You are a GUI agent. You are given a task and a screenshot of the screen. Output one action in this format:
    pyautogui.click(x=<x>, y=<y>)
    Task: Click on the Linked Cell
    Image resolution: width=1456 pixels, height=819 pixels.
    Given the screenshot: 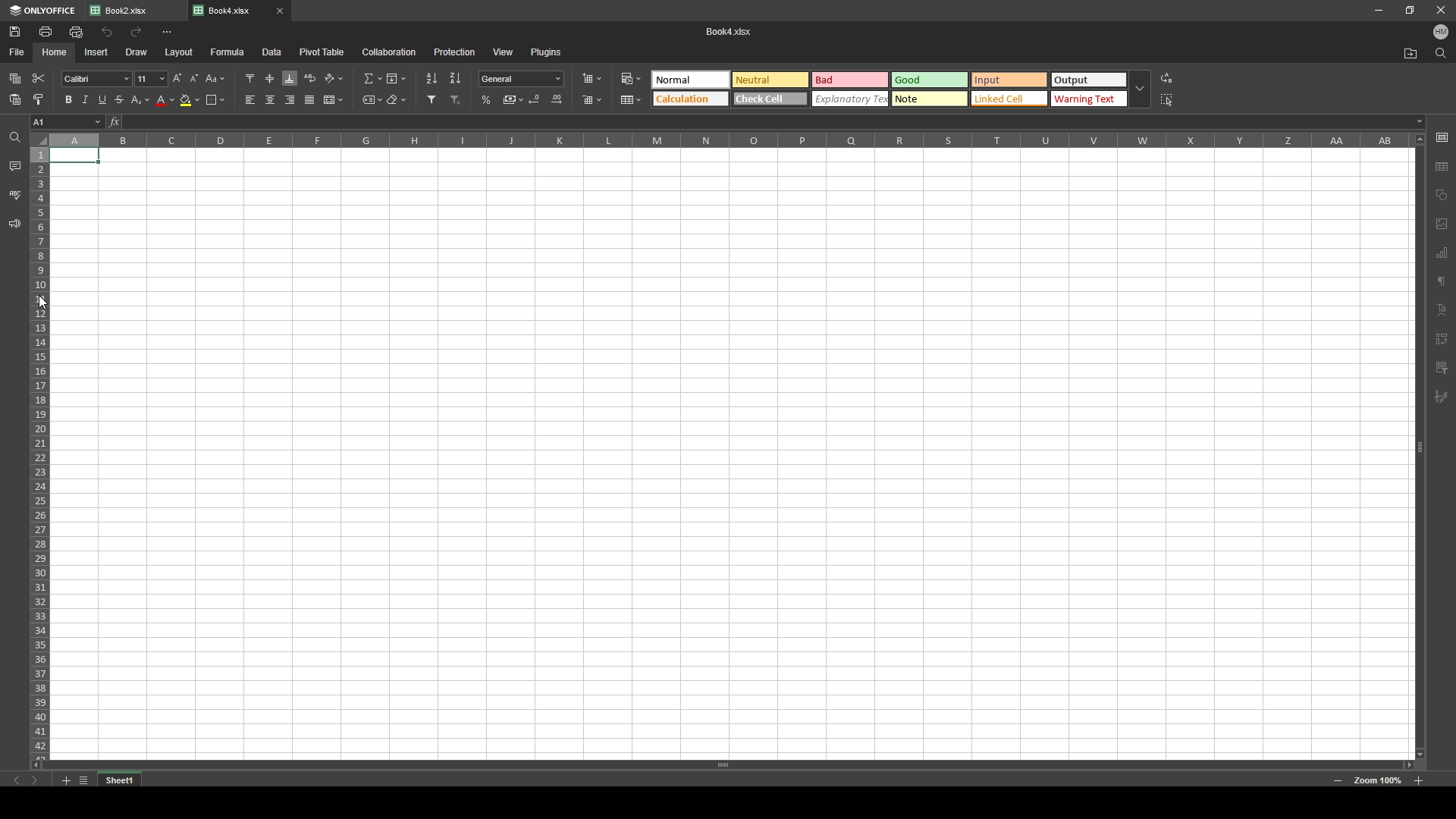 What is the action you would take?
    pyautogui.click(x=1009, y=98)
    